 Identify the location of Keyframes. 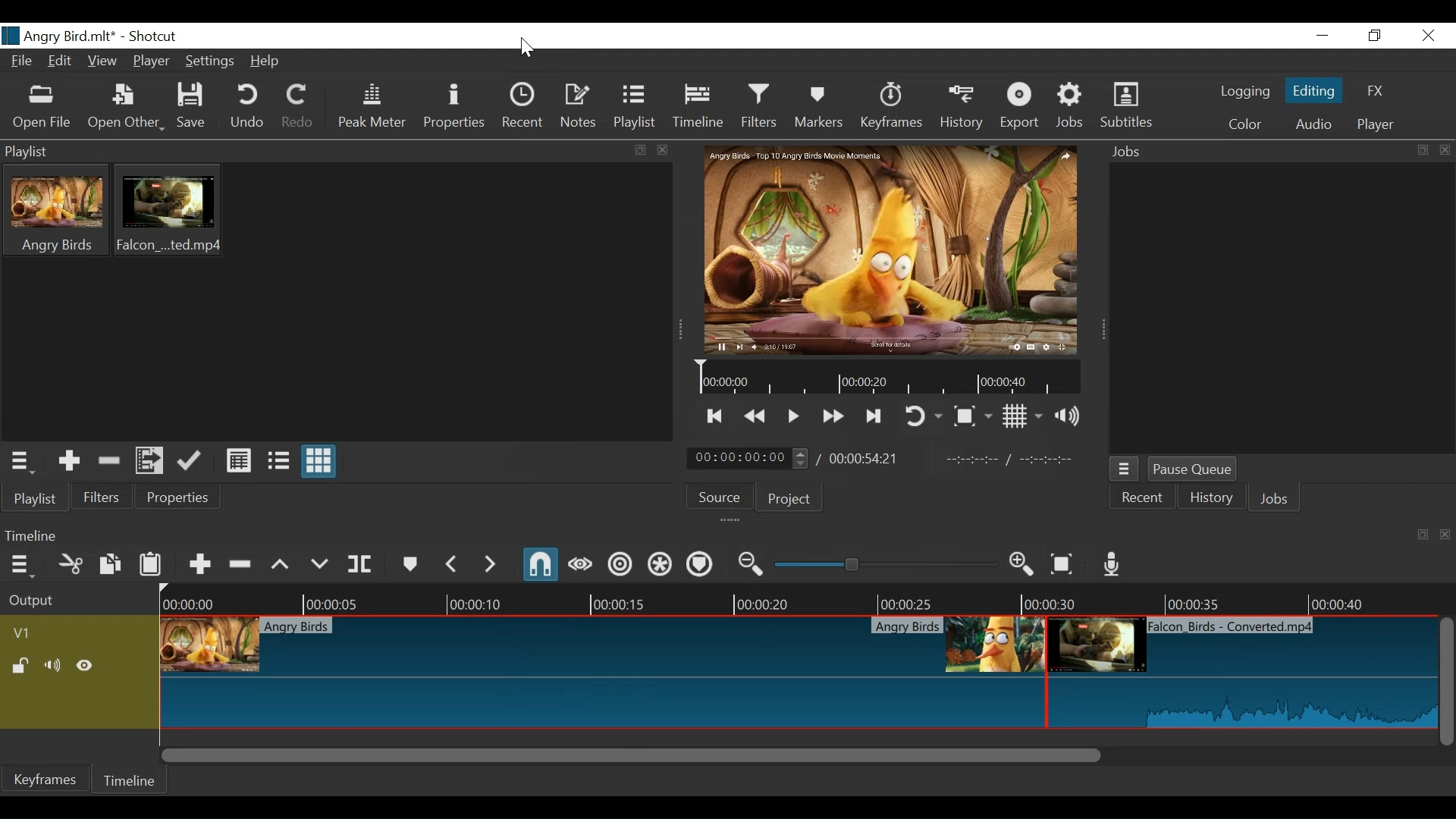
(893, 107).